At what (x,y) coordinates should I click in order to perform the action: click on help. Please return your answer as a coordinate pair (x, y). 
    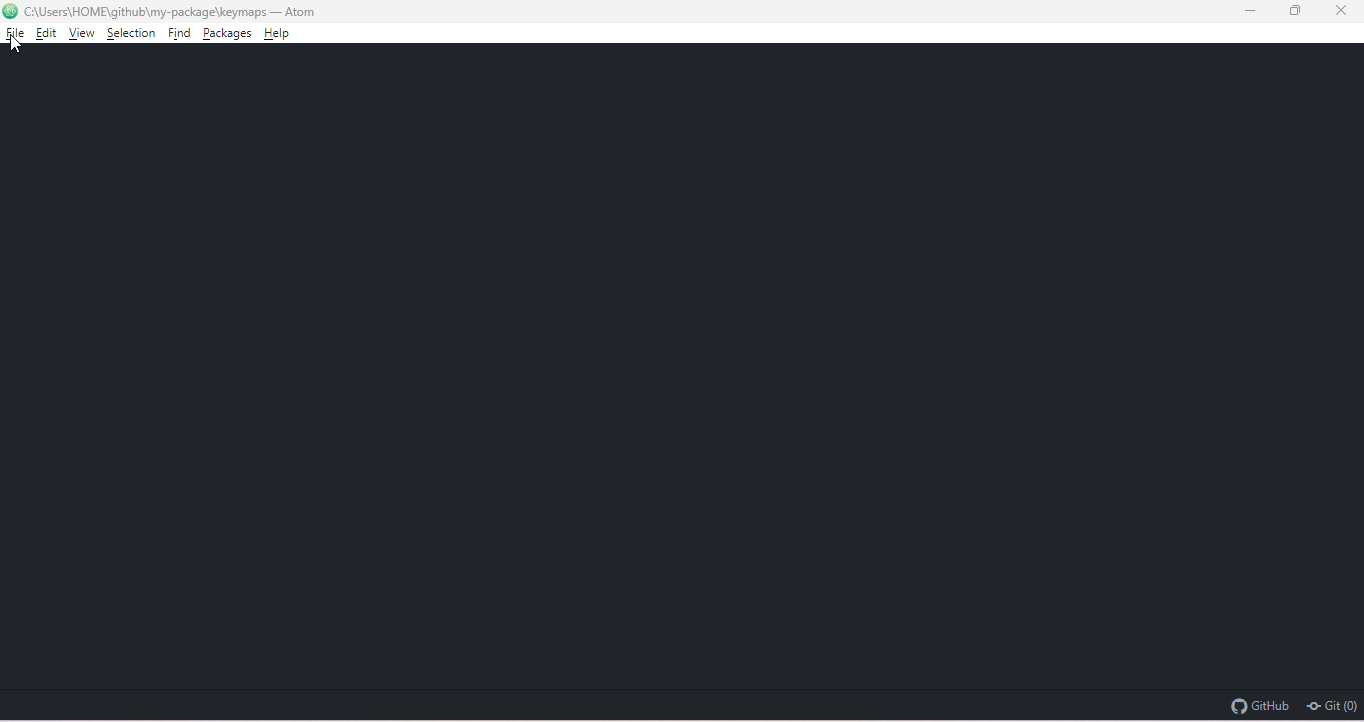
    Looking at the image, I should click on (280, 34).